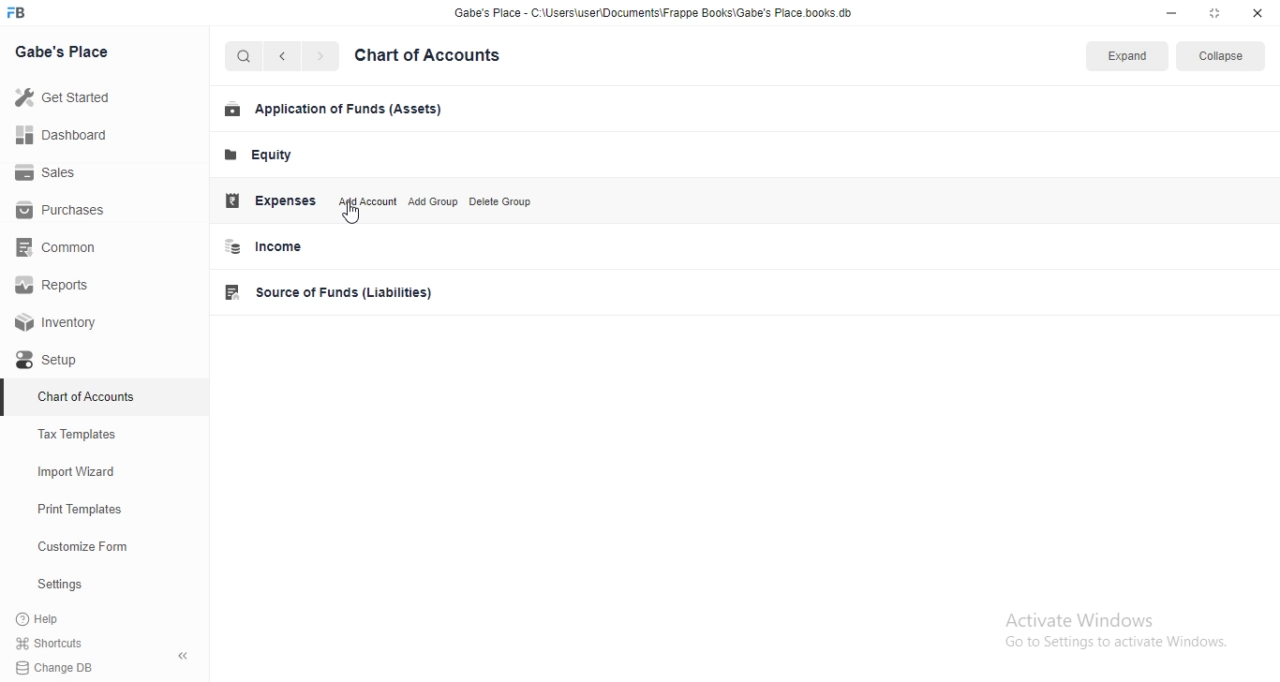 This screenshot has width=1280, height=682. I want to click on FB, so click(29, 13).